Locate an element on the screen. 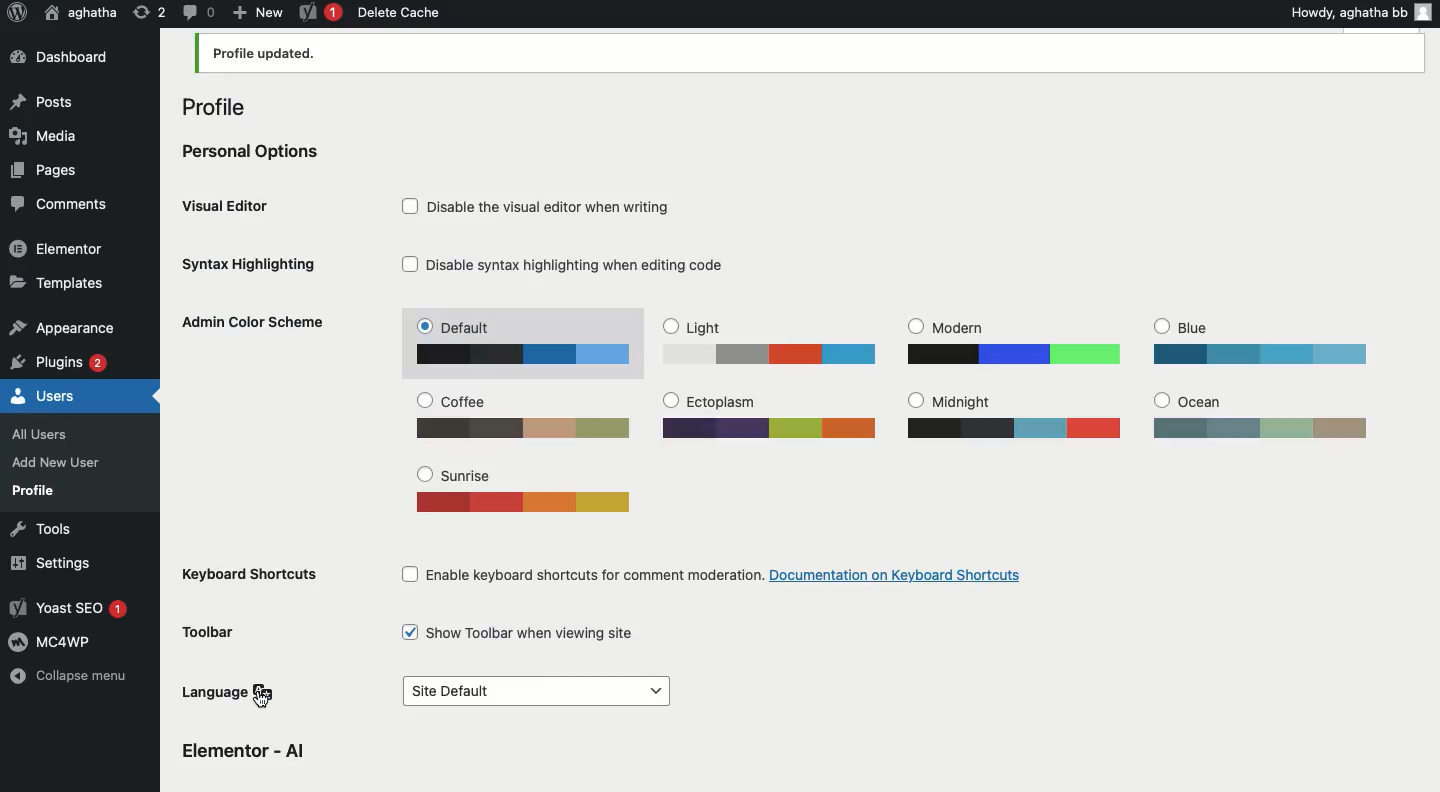 The width and height of the screenshot is (1440, 792). Visual editor is located at coordinates (234, 203).